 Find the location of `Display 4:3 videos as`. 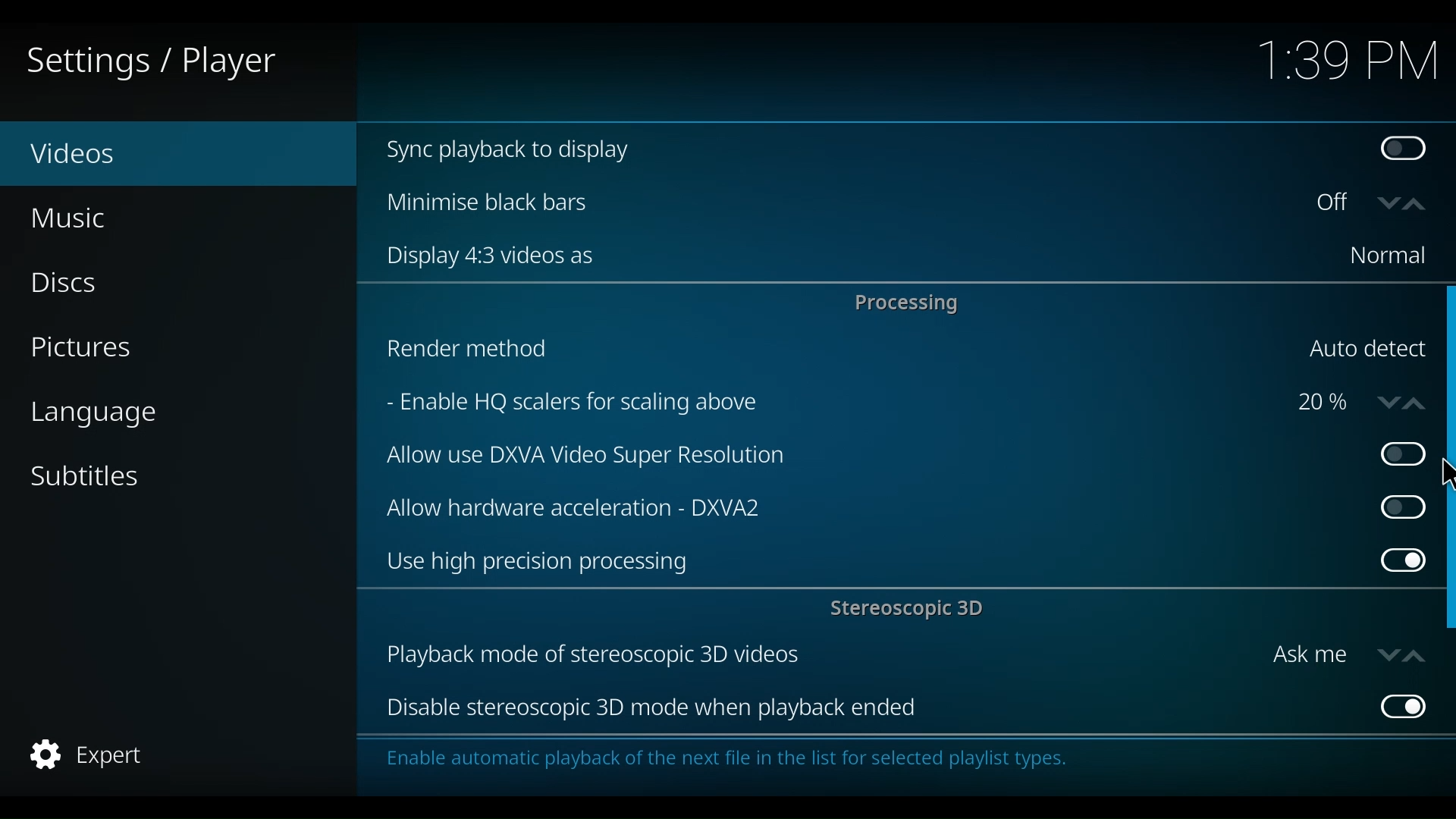

Display 4:3 videos as is located at coordinates (844, 256).